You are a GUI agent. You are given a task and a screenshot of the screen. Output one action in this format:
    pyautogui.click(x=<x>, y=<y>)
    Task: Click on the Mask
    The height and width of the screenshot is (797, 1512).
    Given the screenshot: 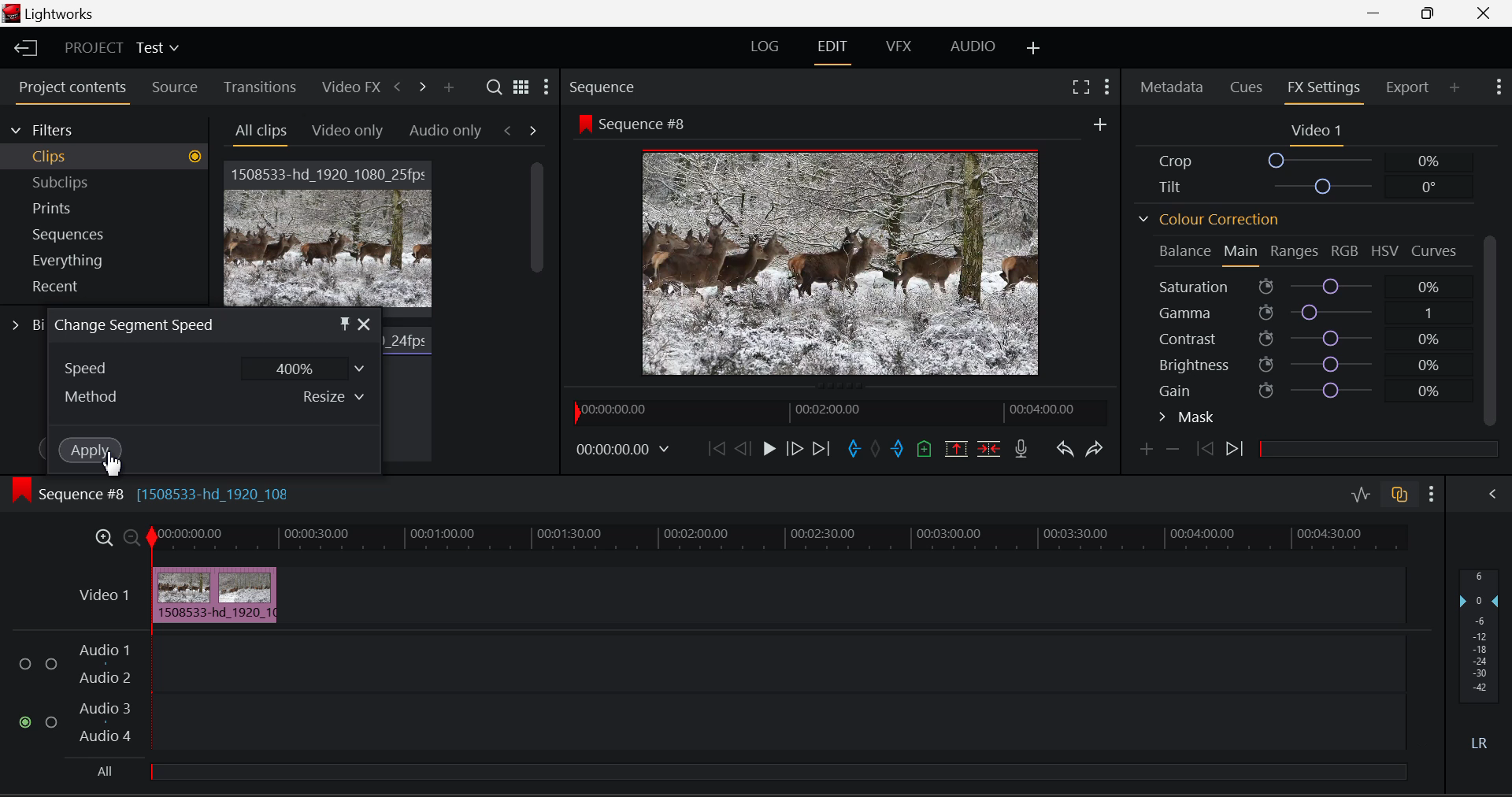 What is the action you would take?
    pyautogui.click(x=1187, y=417)
    